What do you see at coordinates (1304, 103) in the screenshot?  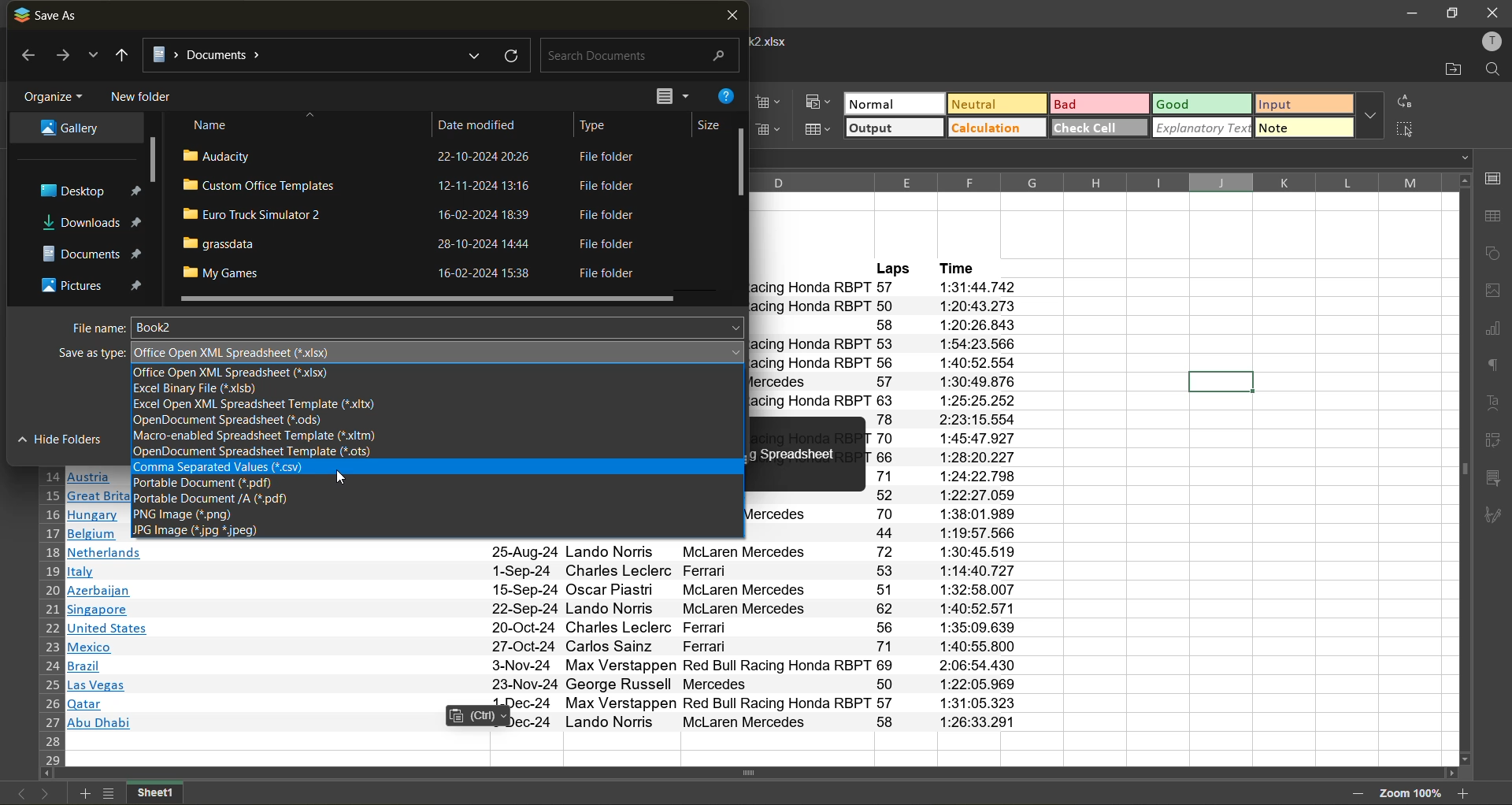 I see `input` at bounding box center [1304, 103].